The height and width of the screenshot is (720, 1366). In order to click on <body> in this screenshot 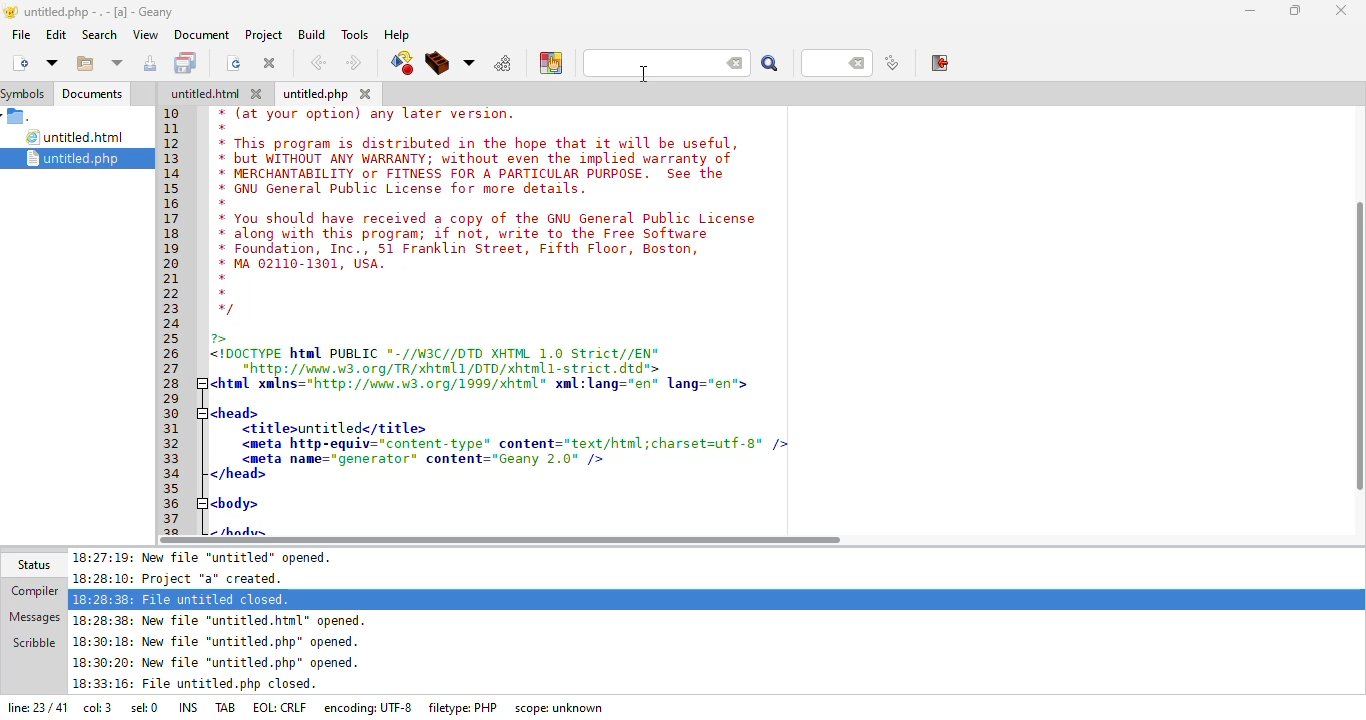, I will do `click(236, 502)`.